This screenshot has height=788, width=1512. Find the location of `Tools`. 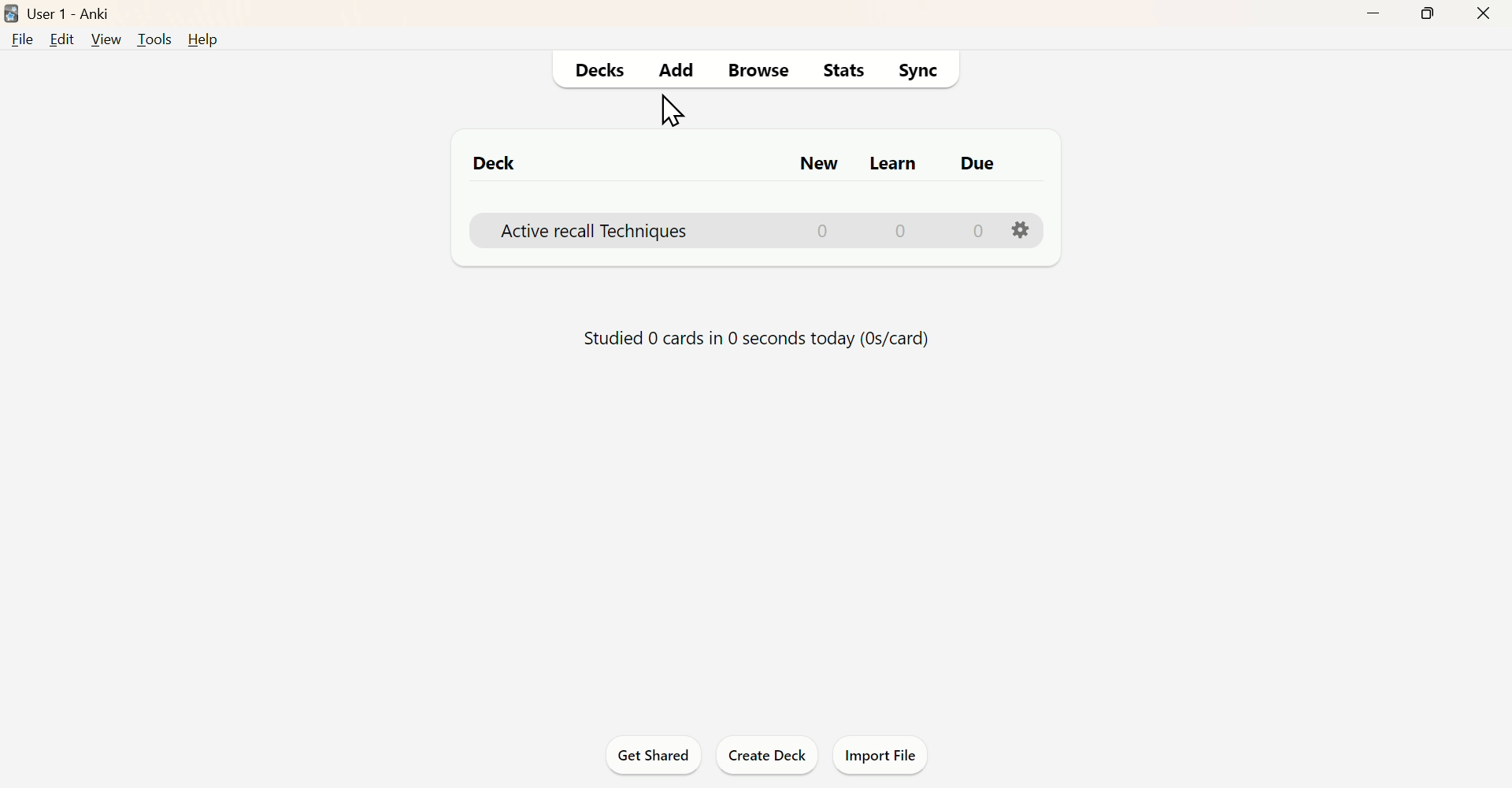

Tools is located at coordinates (150, 39).